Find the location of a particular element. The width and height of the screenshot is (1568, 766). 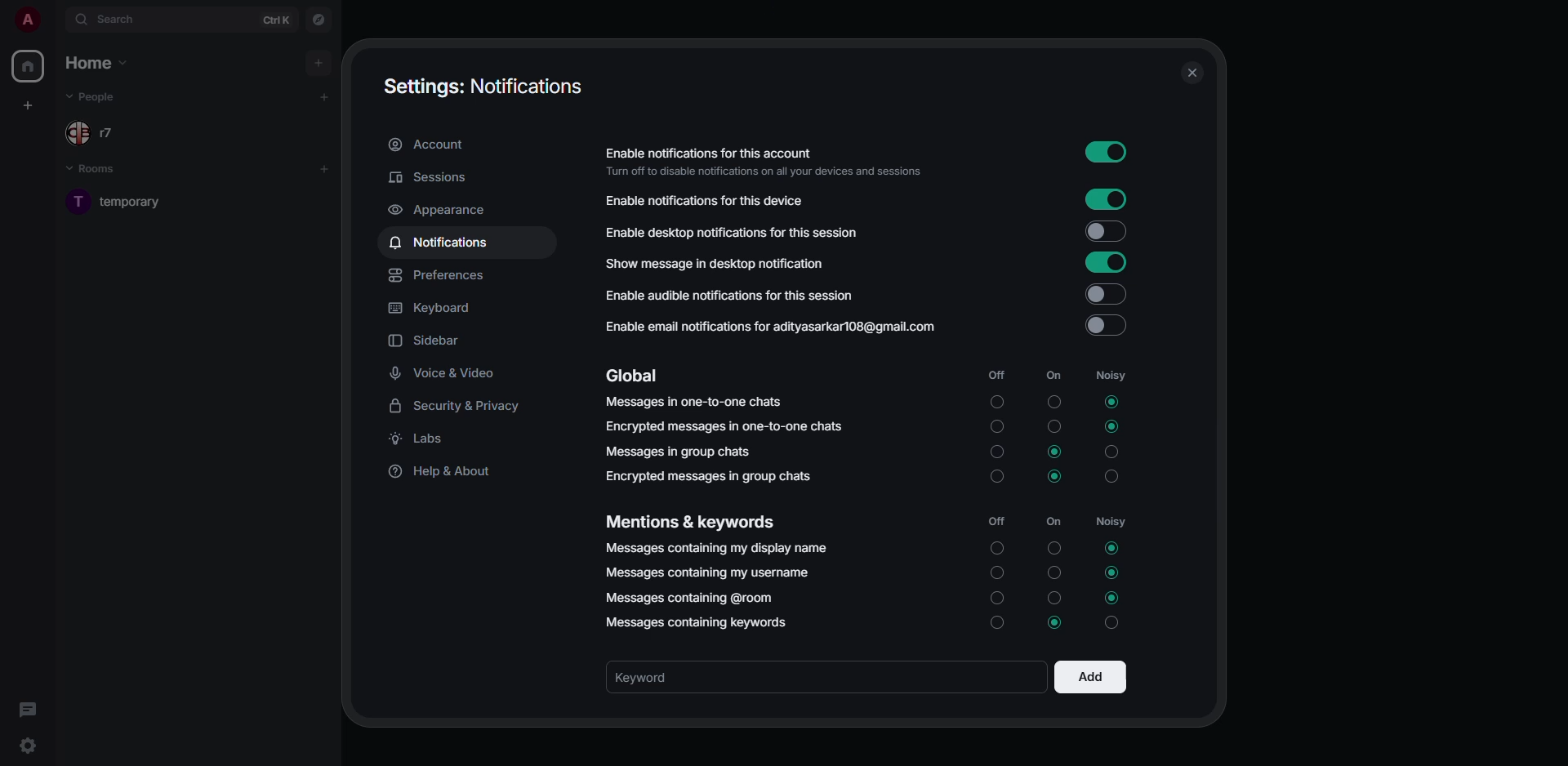

click to enable/disable is located at coordinates (1108, 152).